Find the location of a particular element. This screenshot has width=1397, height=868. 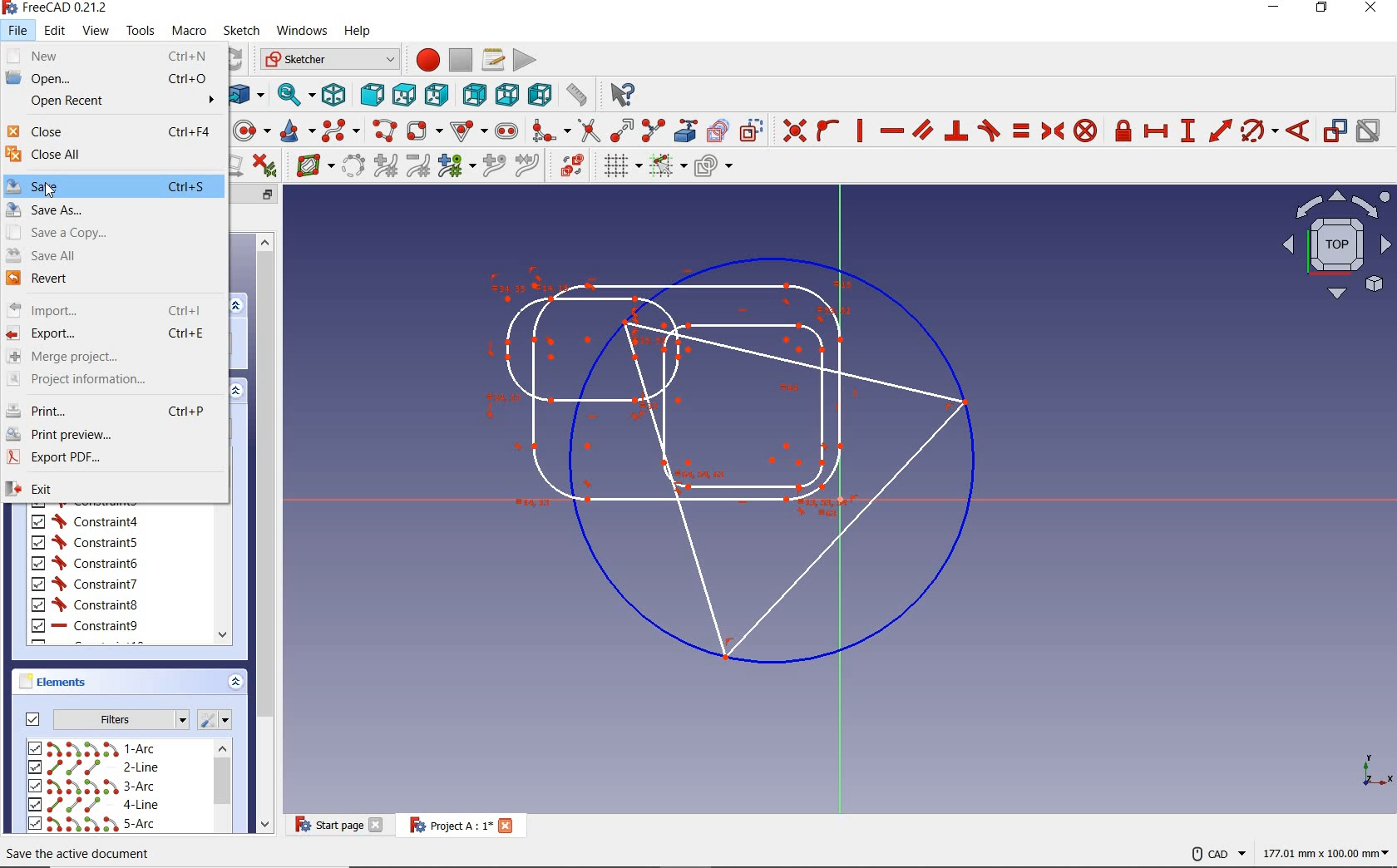

macros is located at coordinates (492, 60).